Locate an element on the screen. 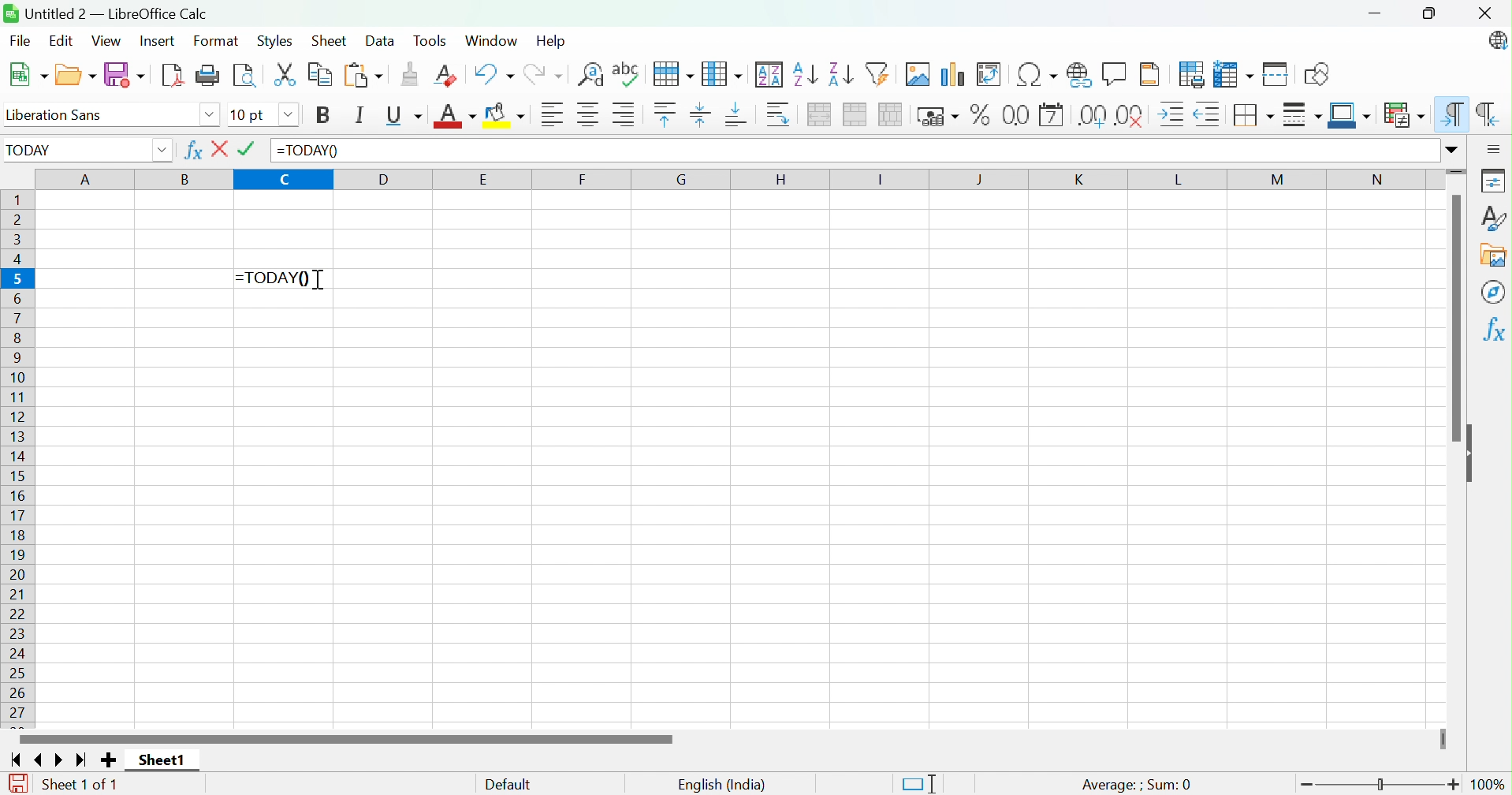 This screenshot has height=795, width=1512. LibreOffice update available is located at coordinates (1496, 40).